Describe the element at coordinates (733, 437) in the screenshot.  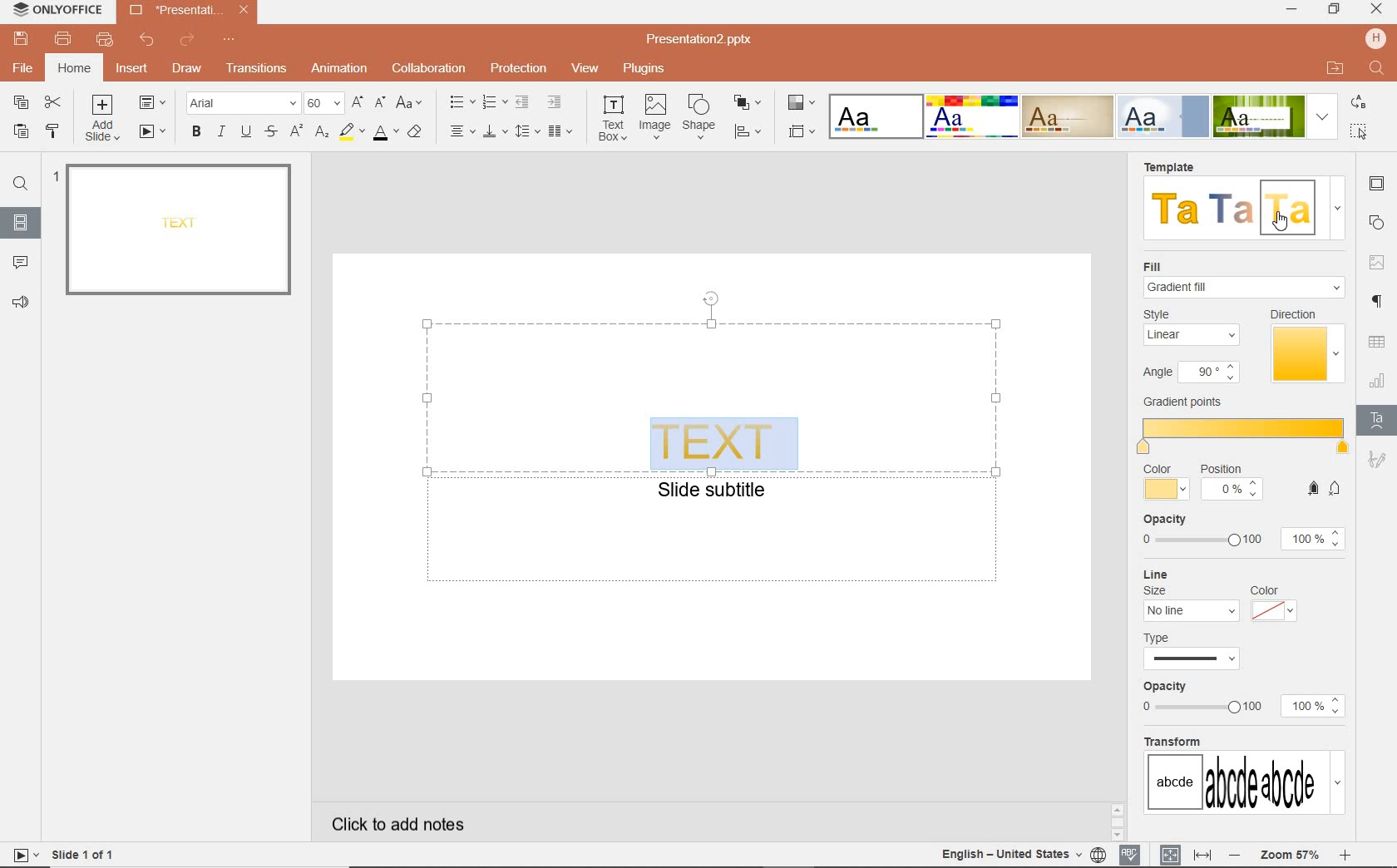
I see `text effect added` at that location.